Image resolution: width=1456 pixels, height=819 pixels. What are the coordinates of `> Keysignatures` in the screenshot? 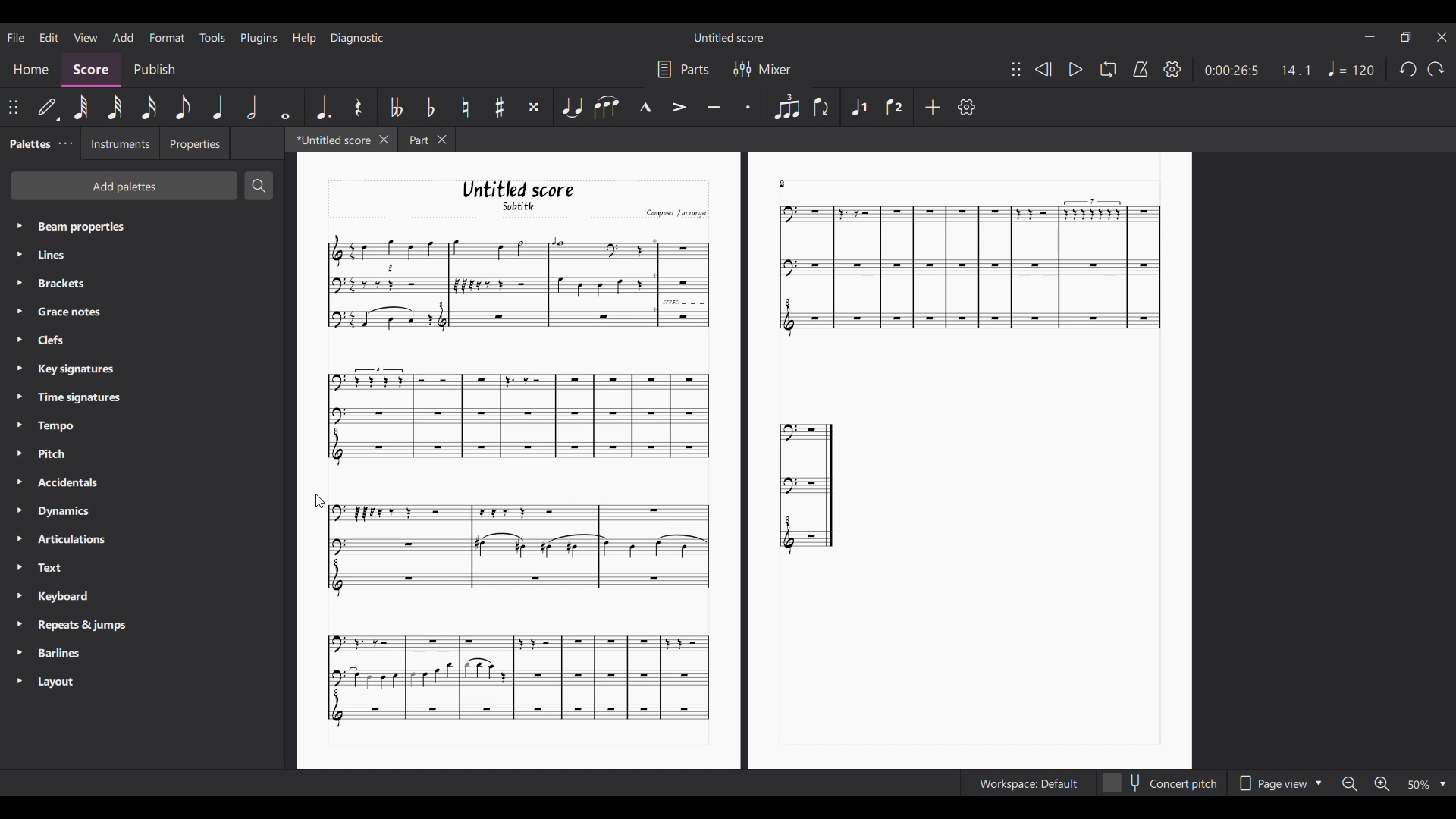 It's located at (67, 367).